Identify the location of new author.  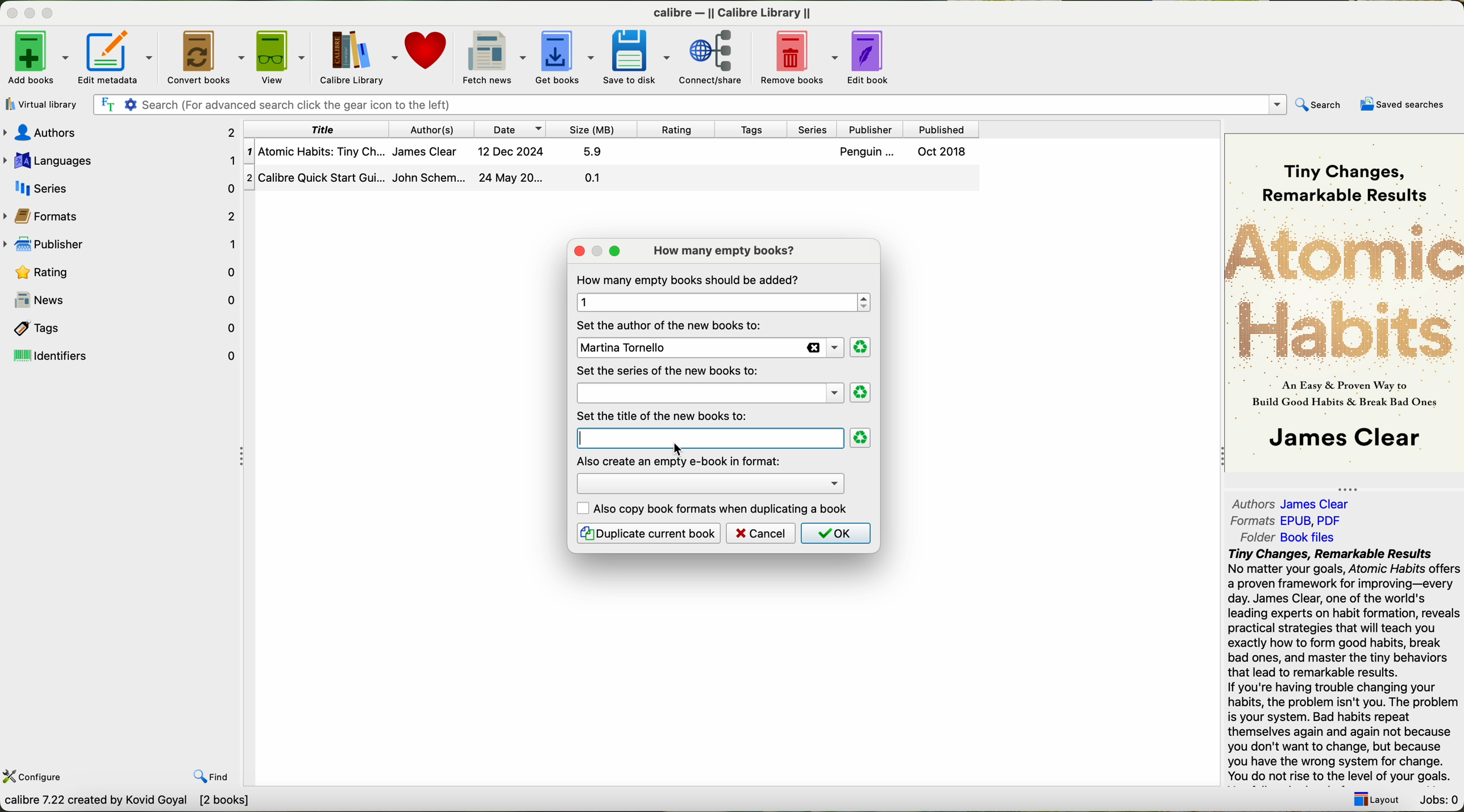
(707, 348).